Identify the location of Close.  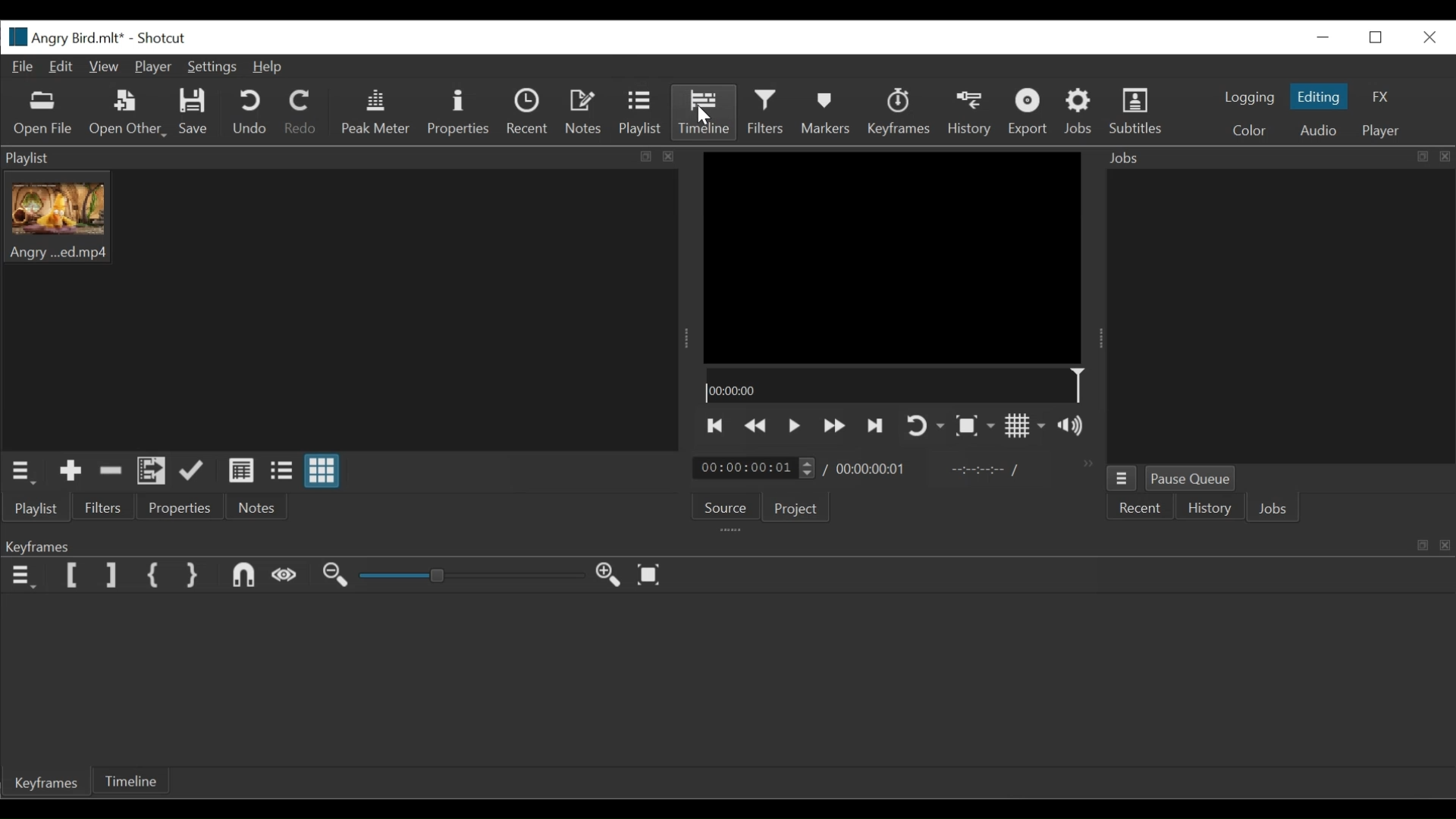
(1428, 38).